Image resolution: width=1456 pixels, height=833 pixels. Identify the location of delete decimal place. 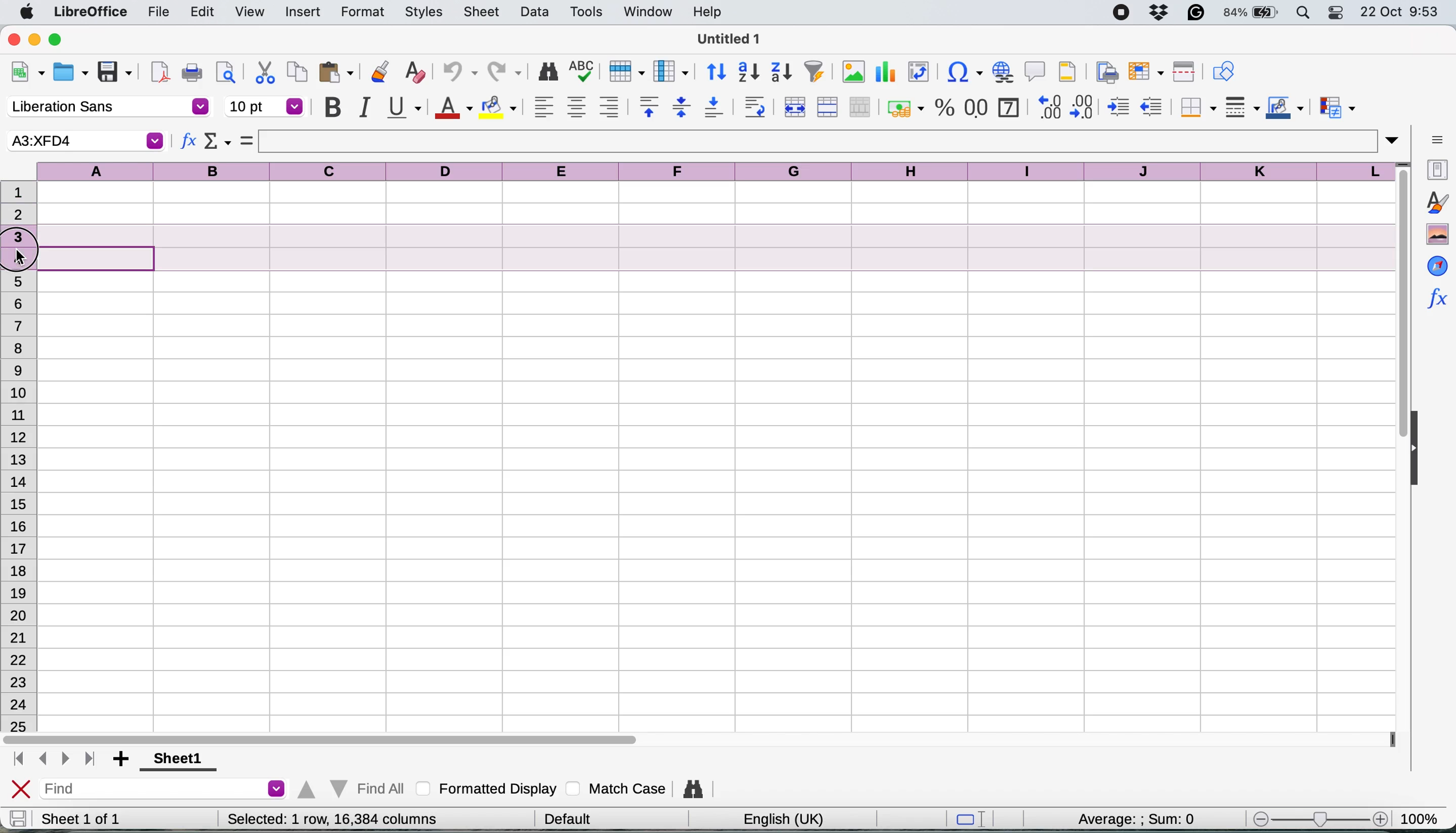
(1085, 106).